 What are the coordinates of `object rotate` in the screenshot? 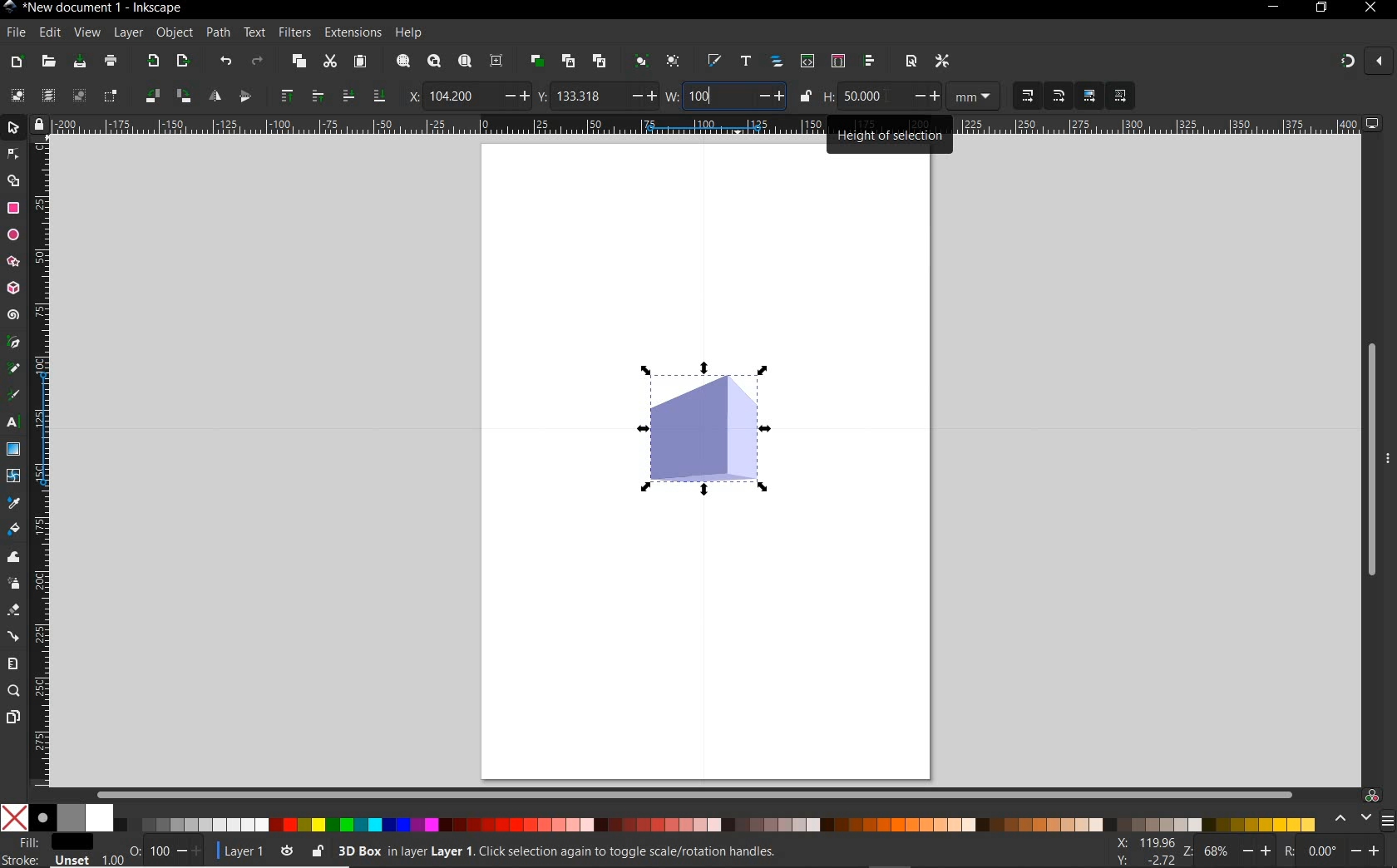 It's located at (182, 96).